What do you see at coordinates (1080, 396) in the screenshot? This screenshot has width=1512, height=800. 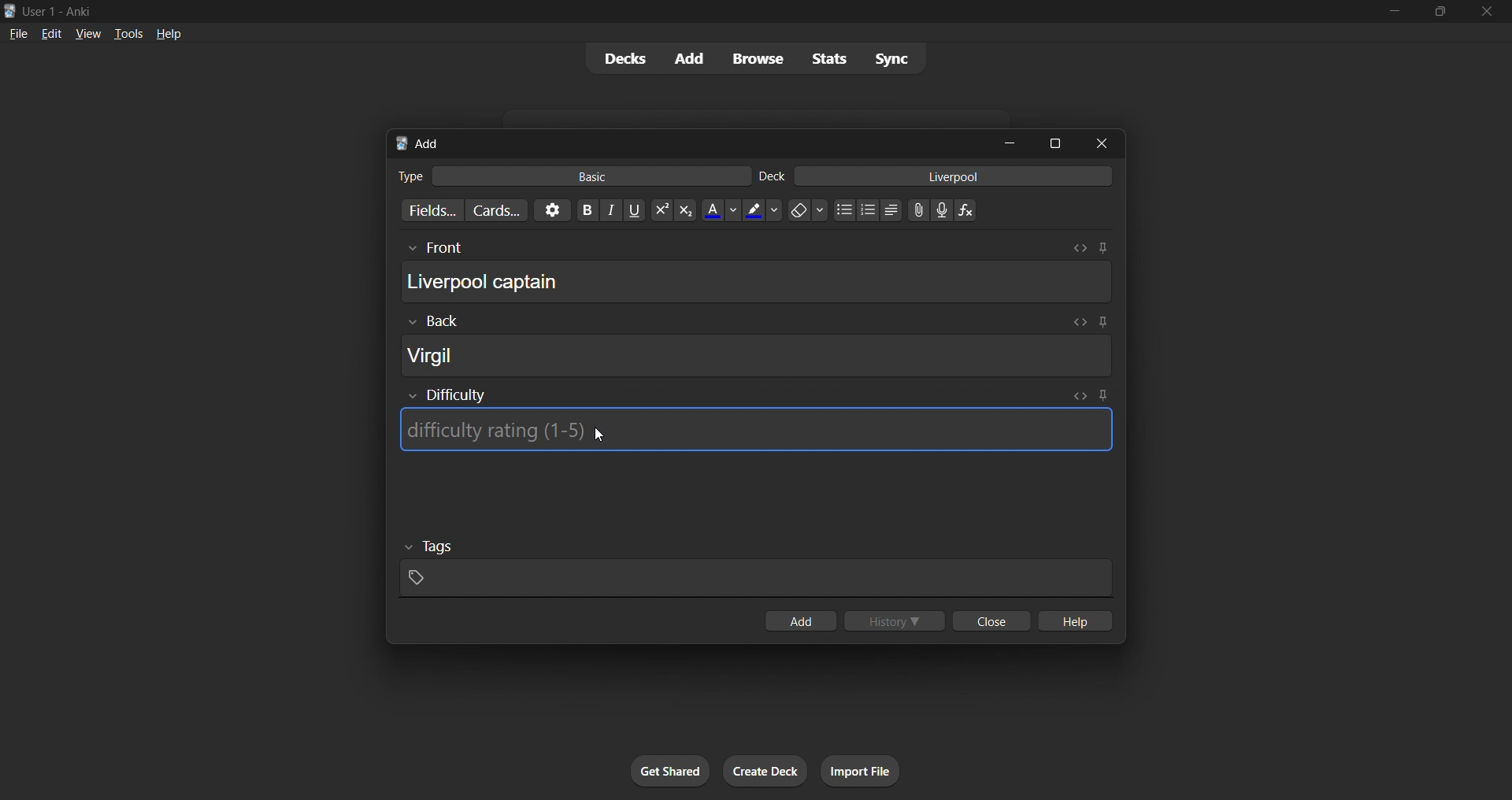 I see `Toggle HTML editor` at bounding box center [1080, 396].